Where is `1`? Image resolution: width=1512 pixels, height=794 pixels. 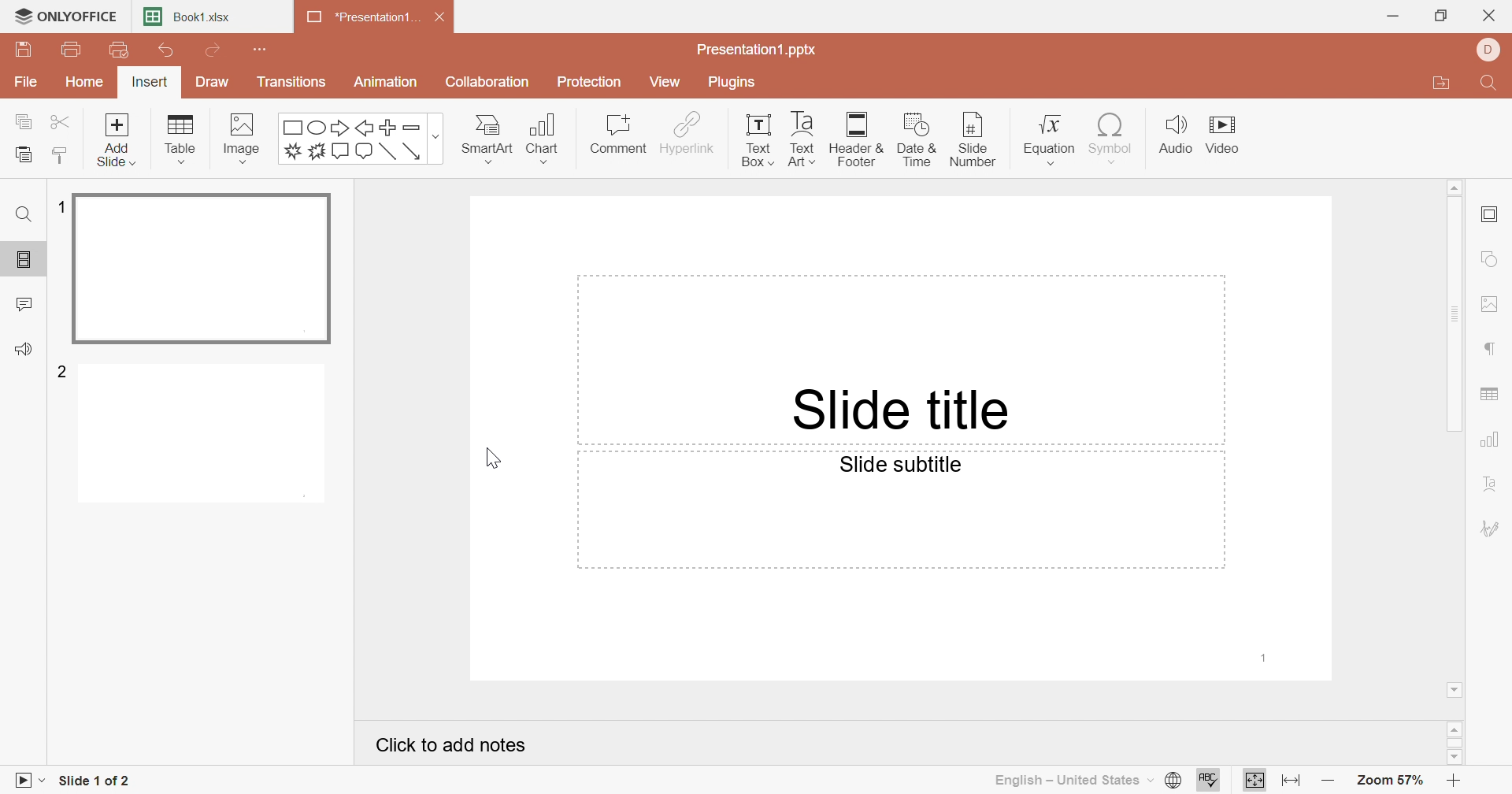 1 is located at coordinates (58, 207).